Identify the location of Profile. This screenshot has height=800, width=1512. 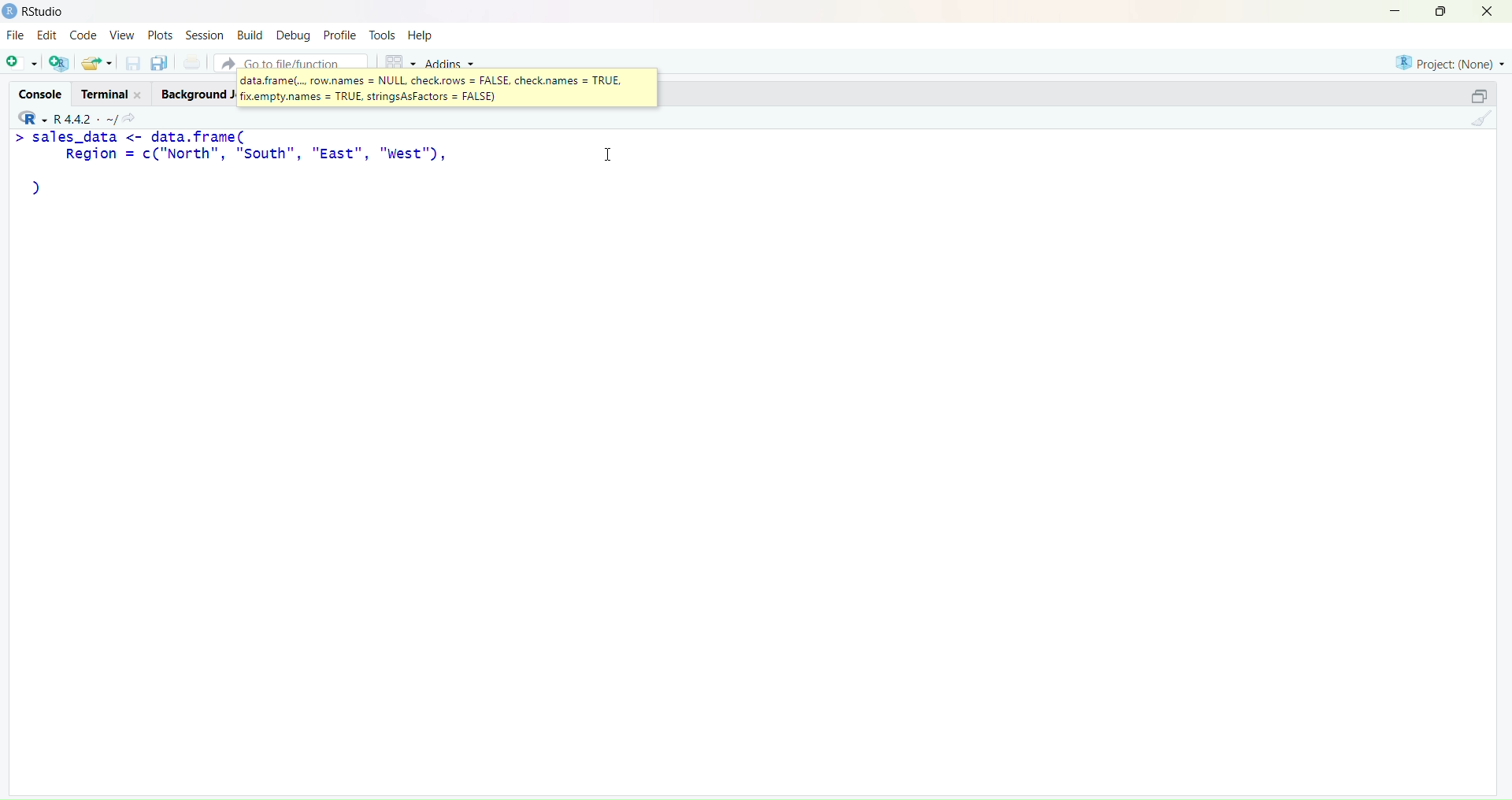
(340, 36).